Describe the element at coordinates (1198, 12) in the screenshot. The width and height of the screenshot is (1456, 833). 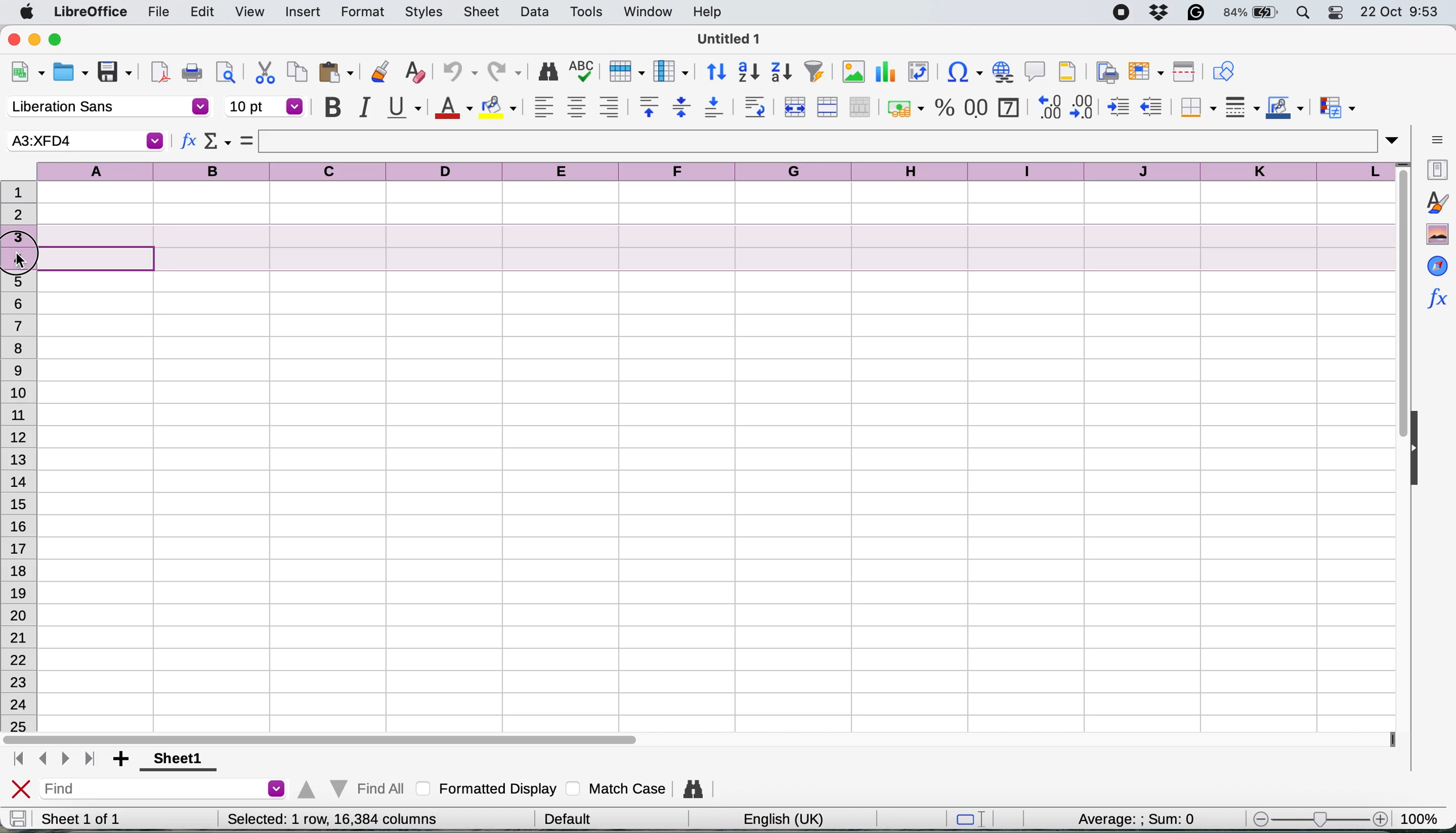
I see `grammarly` at that location.